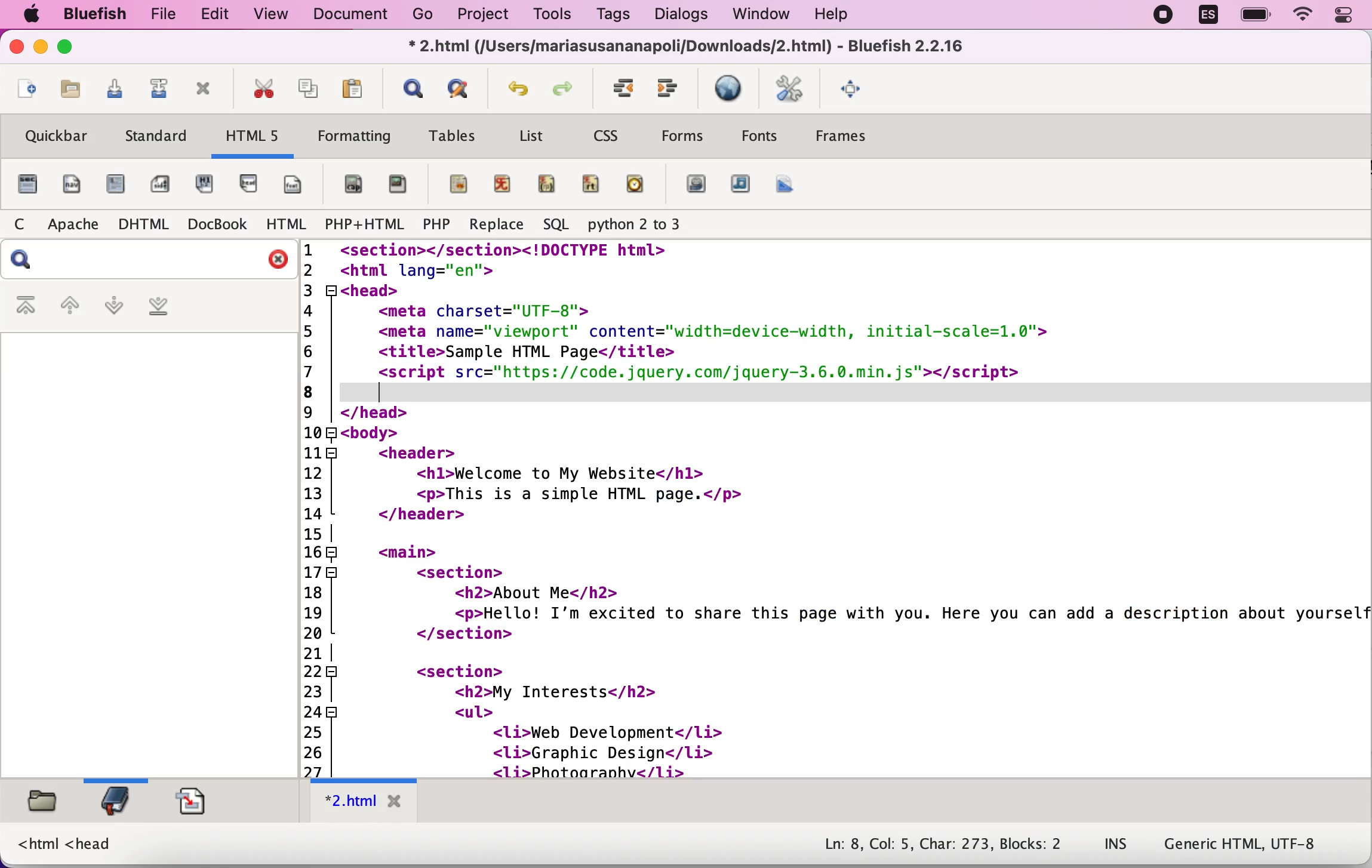 The width and height of the screenshot is (1372, 868). What do you see at coordinates (760, 14) in the screenshot?
I see `window` at bounding box center [760, 14].